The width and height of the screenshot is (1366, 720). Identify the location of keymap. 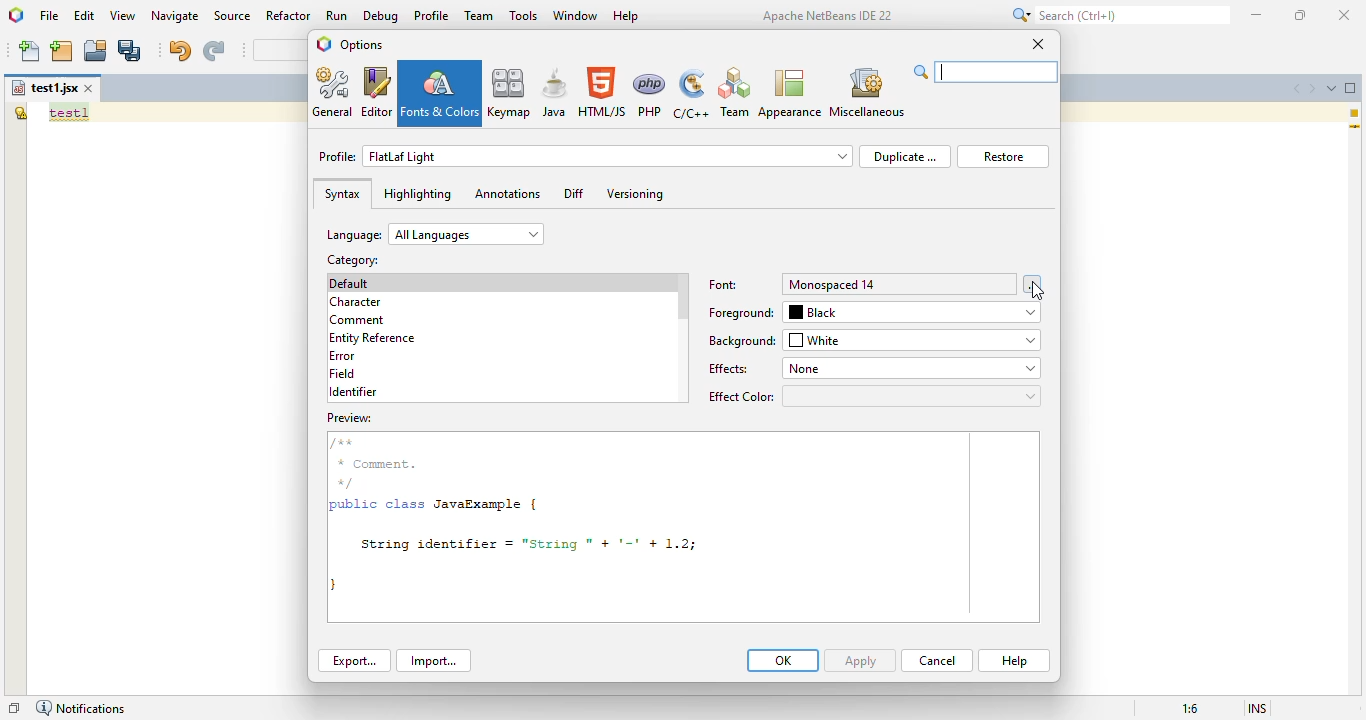
(509, 92).